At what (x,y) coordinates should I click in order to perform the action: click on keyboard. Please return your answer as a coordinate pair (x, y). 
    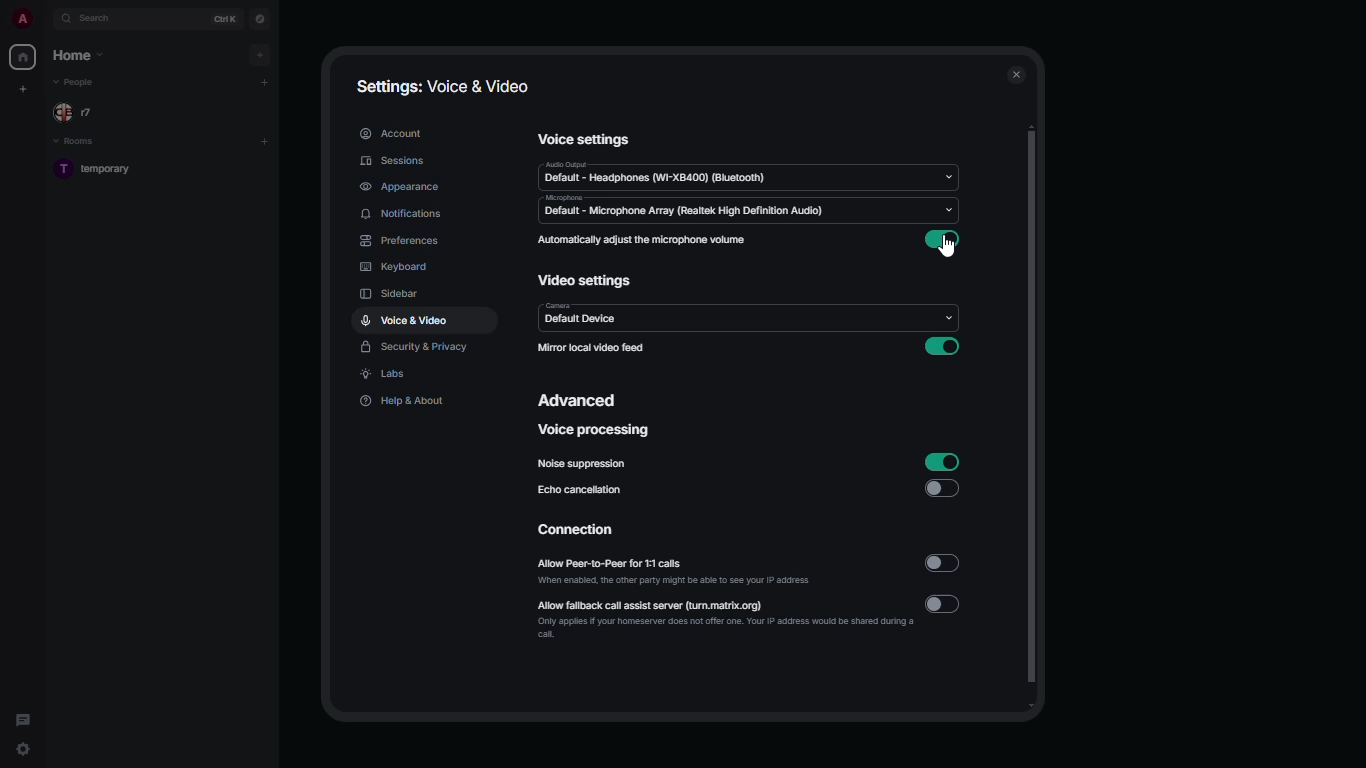
    Looking at the image, I should click on (397, 268).